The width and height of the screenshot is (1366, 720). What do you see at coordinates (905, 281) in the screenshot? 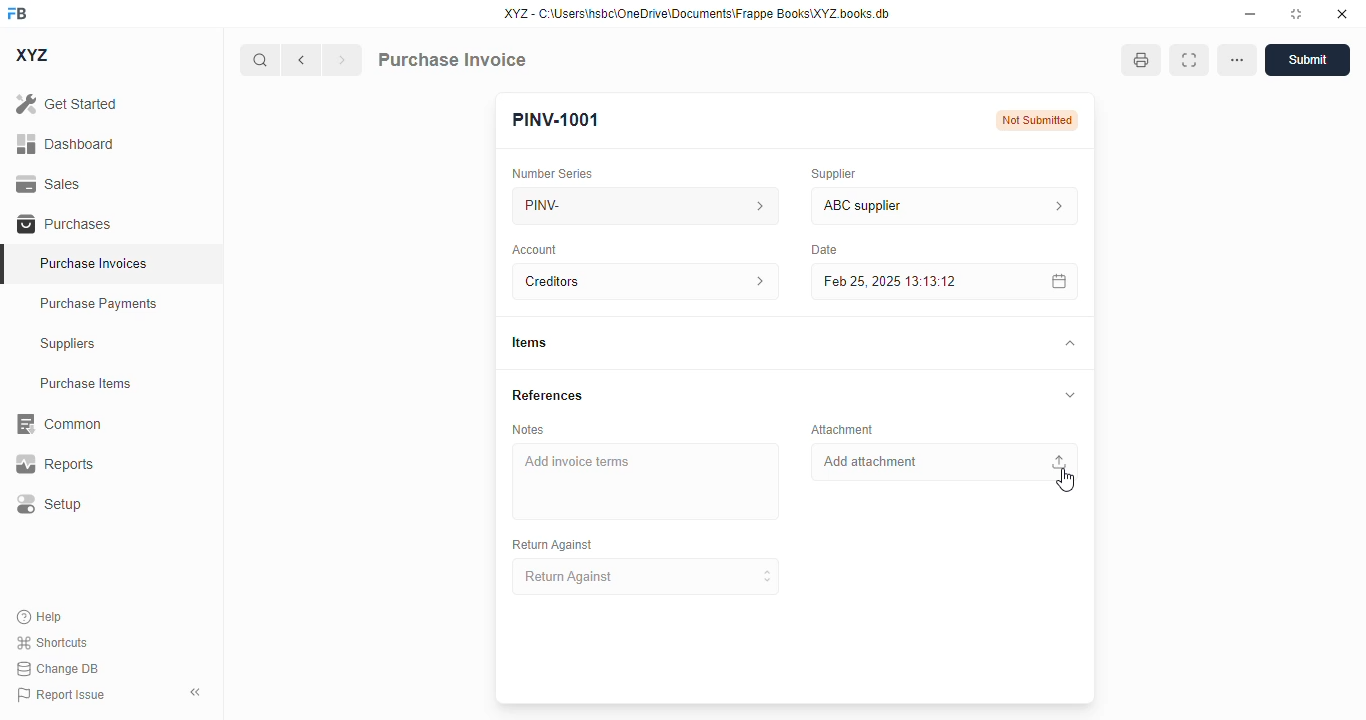
I see `feb 25, 2025 13:13:12` at bounding box center [905, 281].